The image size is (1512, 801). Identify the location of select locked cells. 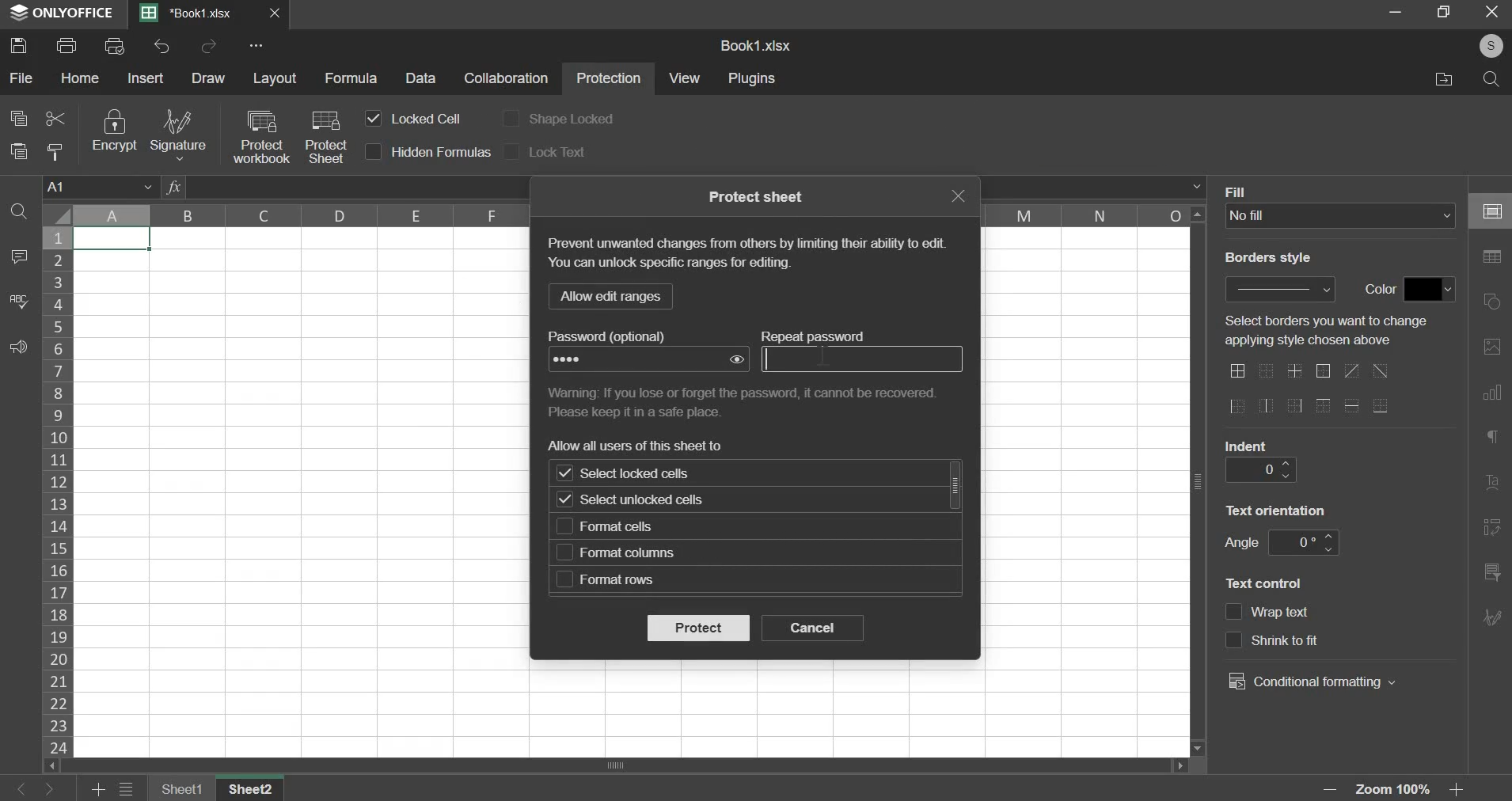
(650, 473).